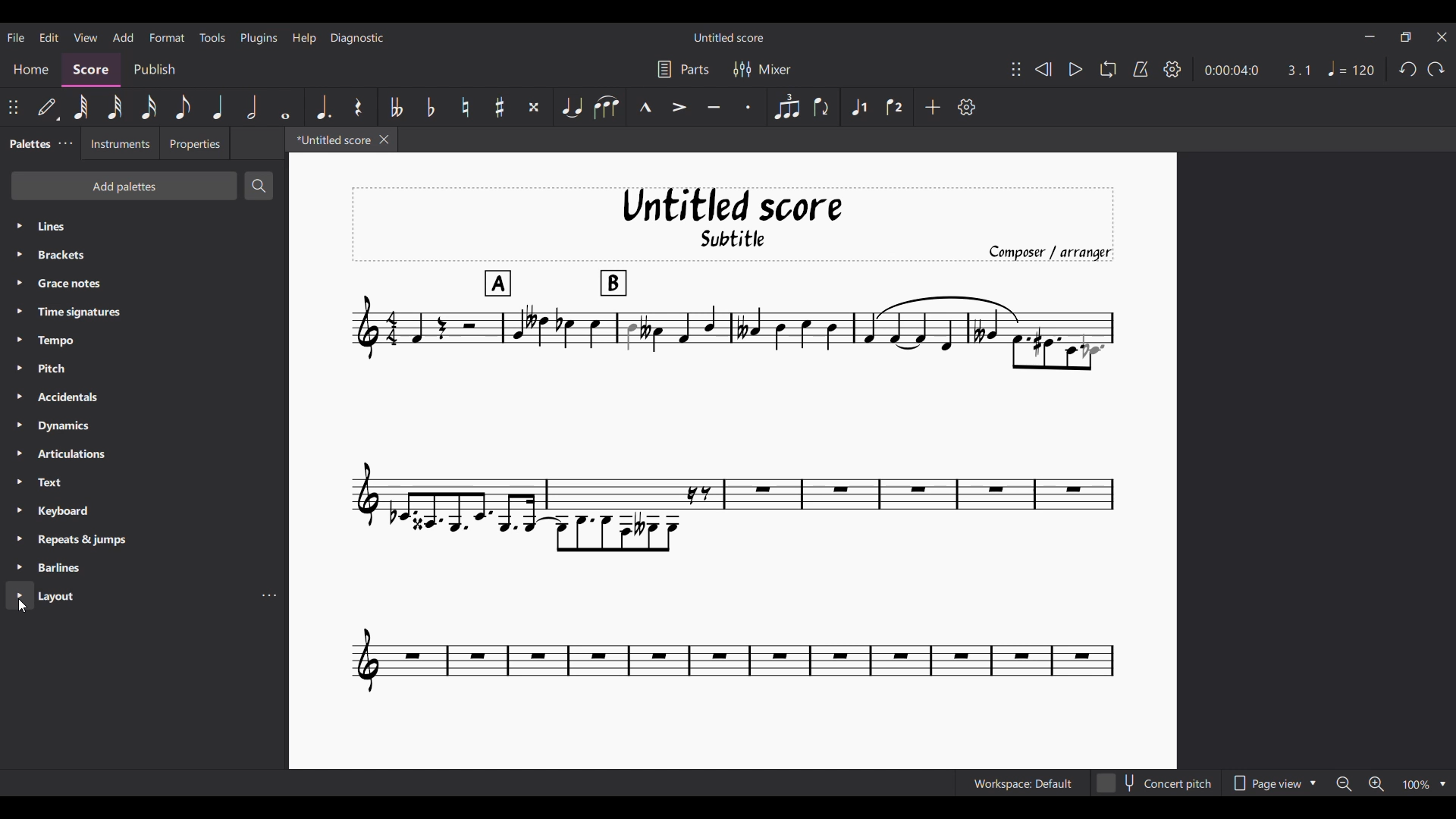  Describe the element at coordinates (149, 107) in the screenshot. I see `16th note` at that location.